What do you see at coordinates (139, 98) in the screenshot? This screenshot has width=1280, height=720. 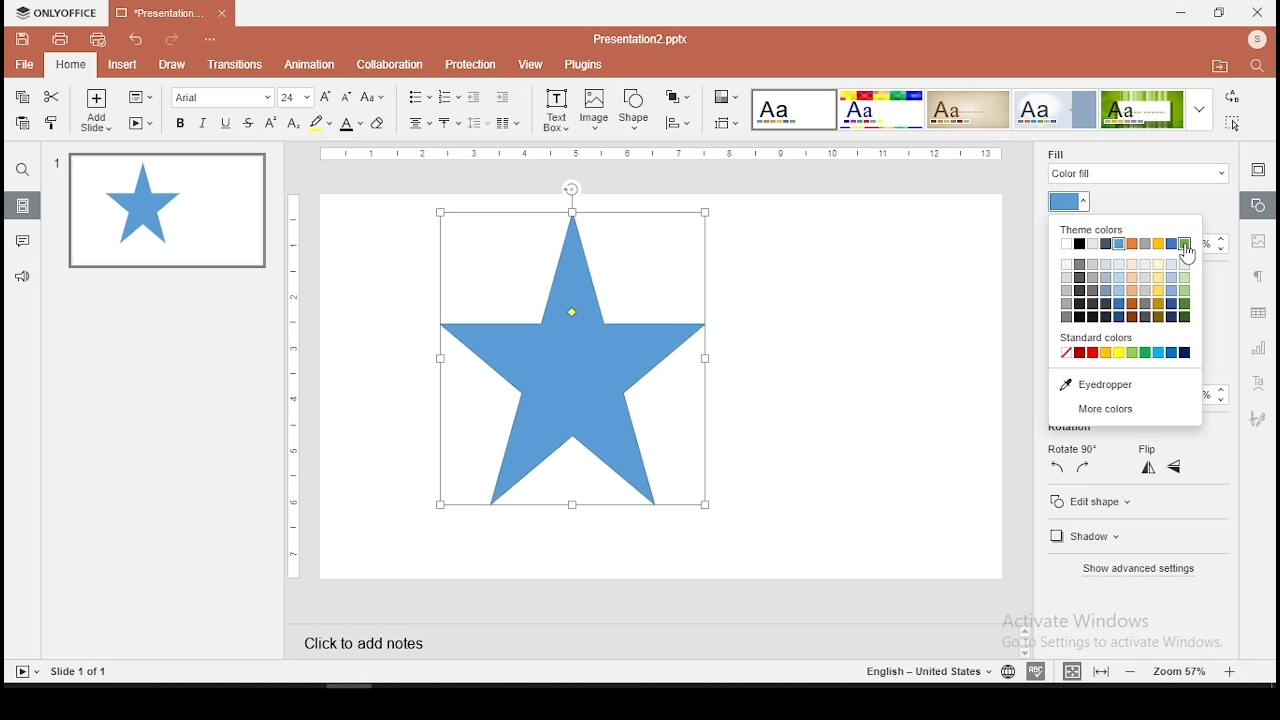 I see `change slide layout` at bounding box center [139, 98].